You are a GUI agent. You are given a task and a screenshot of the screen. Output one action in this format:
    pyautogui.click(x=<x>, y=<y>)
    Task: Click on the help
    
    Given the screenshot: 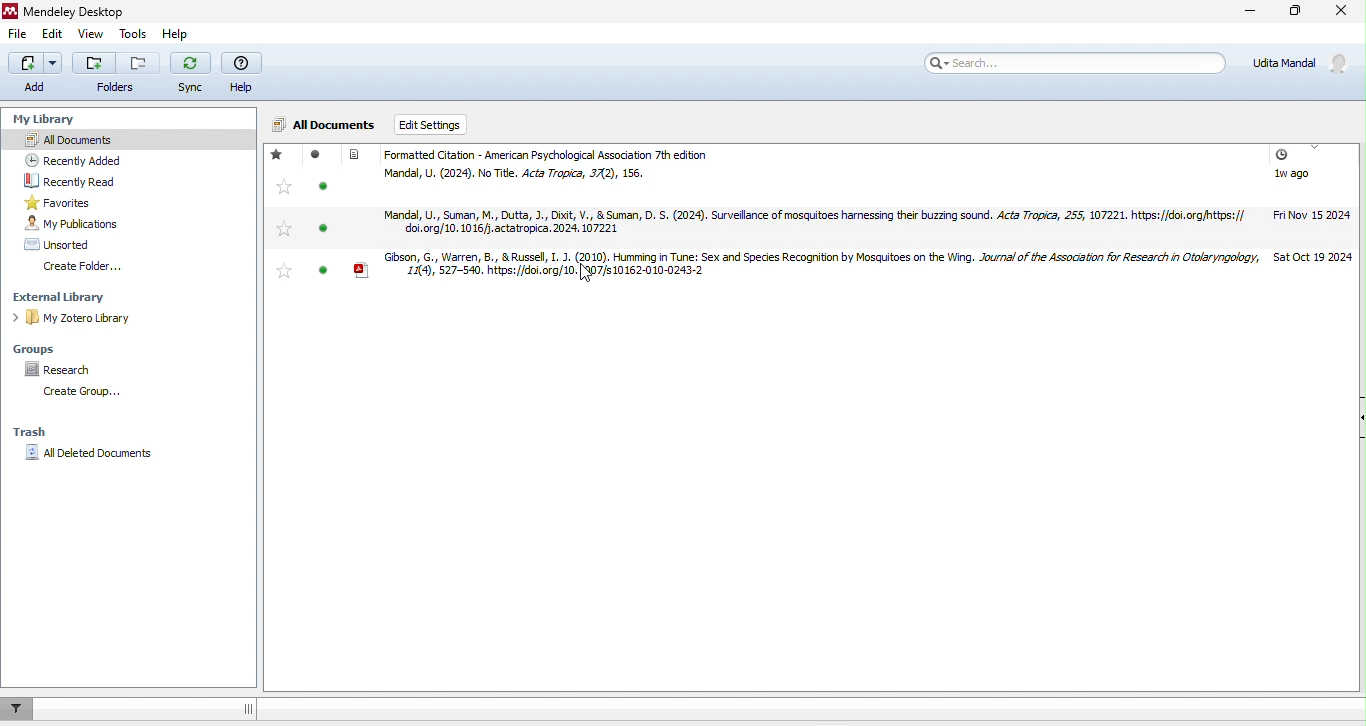 What is the action you would take?
    pyautogui.click(x=176, y=32)
    